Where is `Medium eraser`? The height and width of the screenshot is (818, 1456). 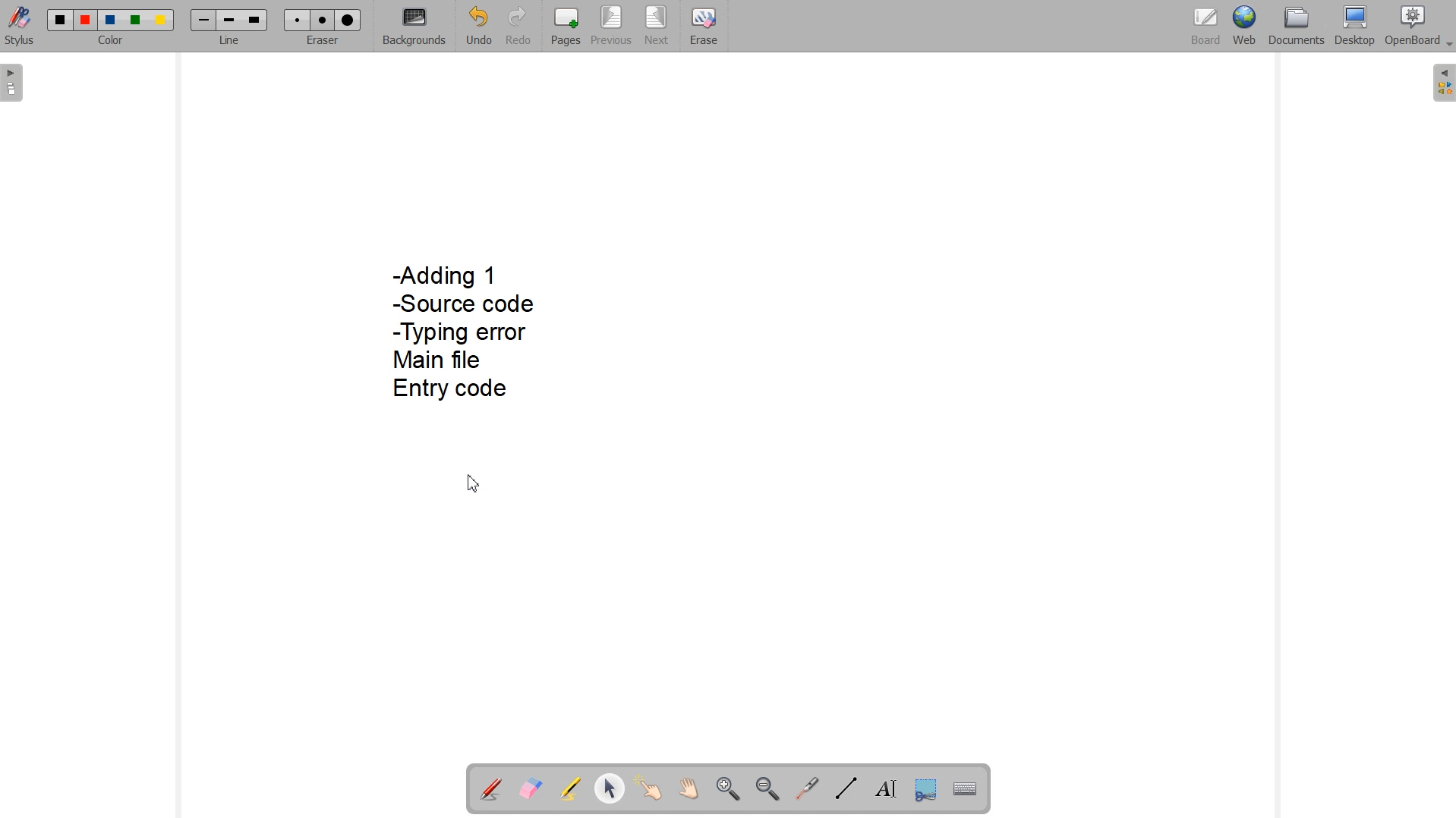
Medium eraser is located at coordinates (323, 20).